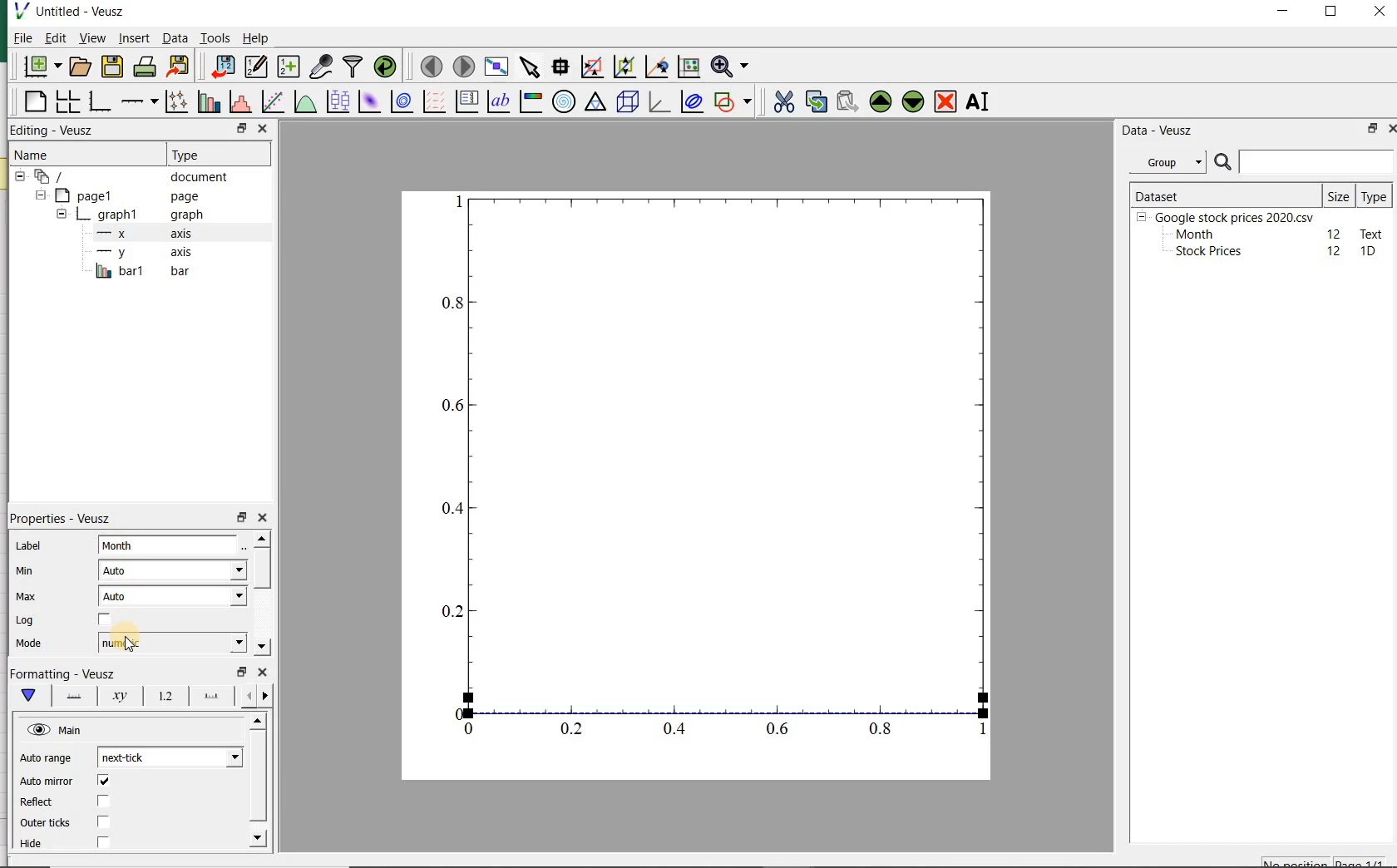 This screenshot has height=868, width=1397. I want to click on tick labels, so click(164, 696).